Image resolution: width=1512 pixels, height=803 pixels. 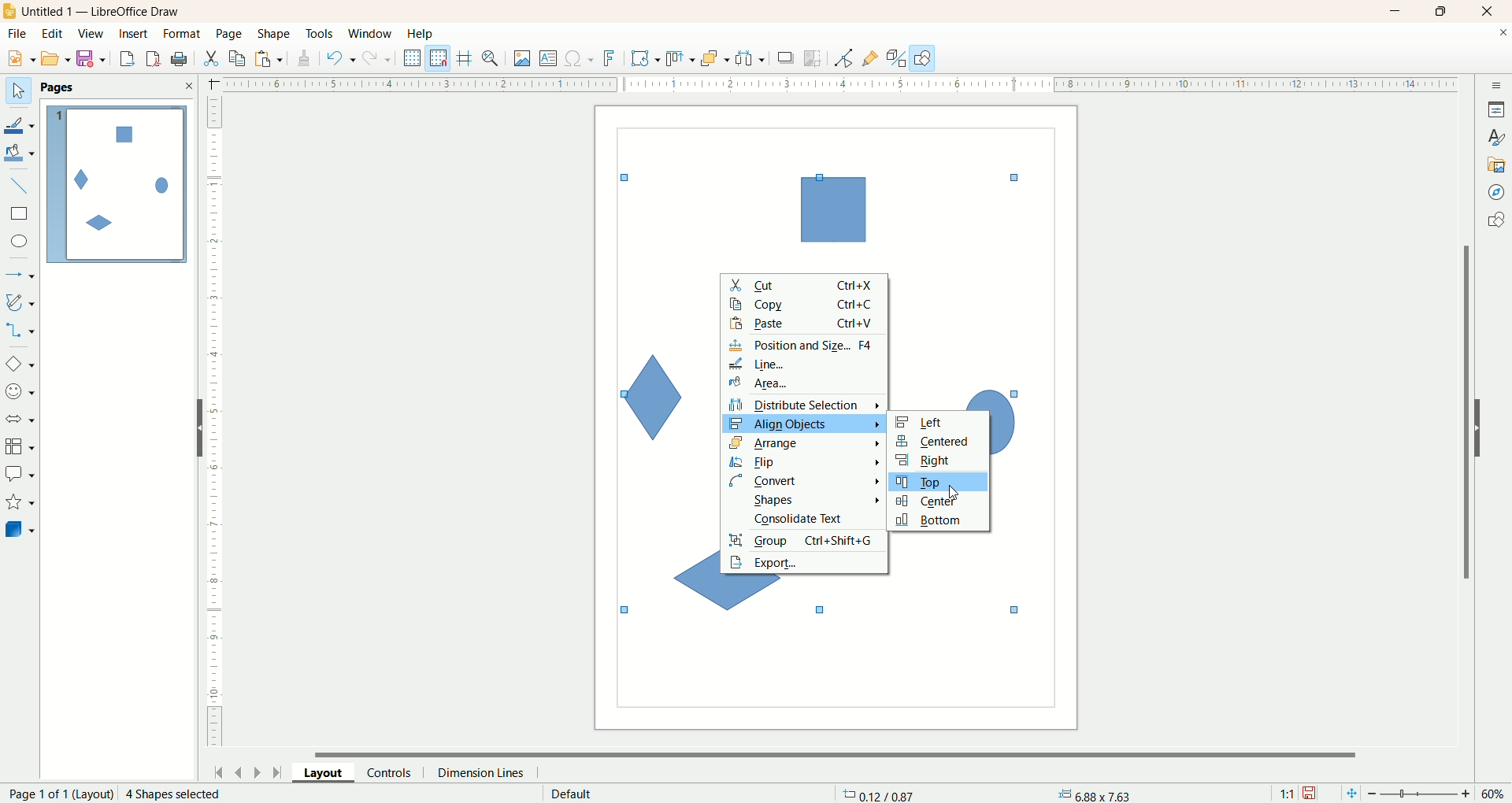 I want to click on edit, so click(x=53, y=35).